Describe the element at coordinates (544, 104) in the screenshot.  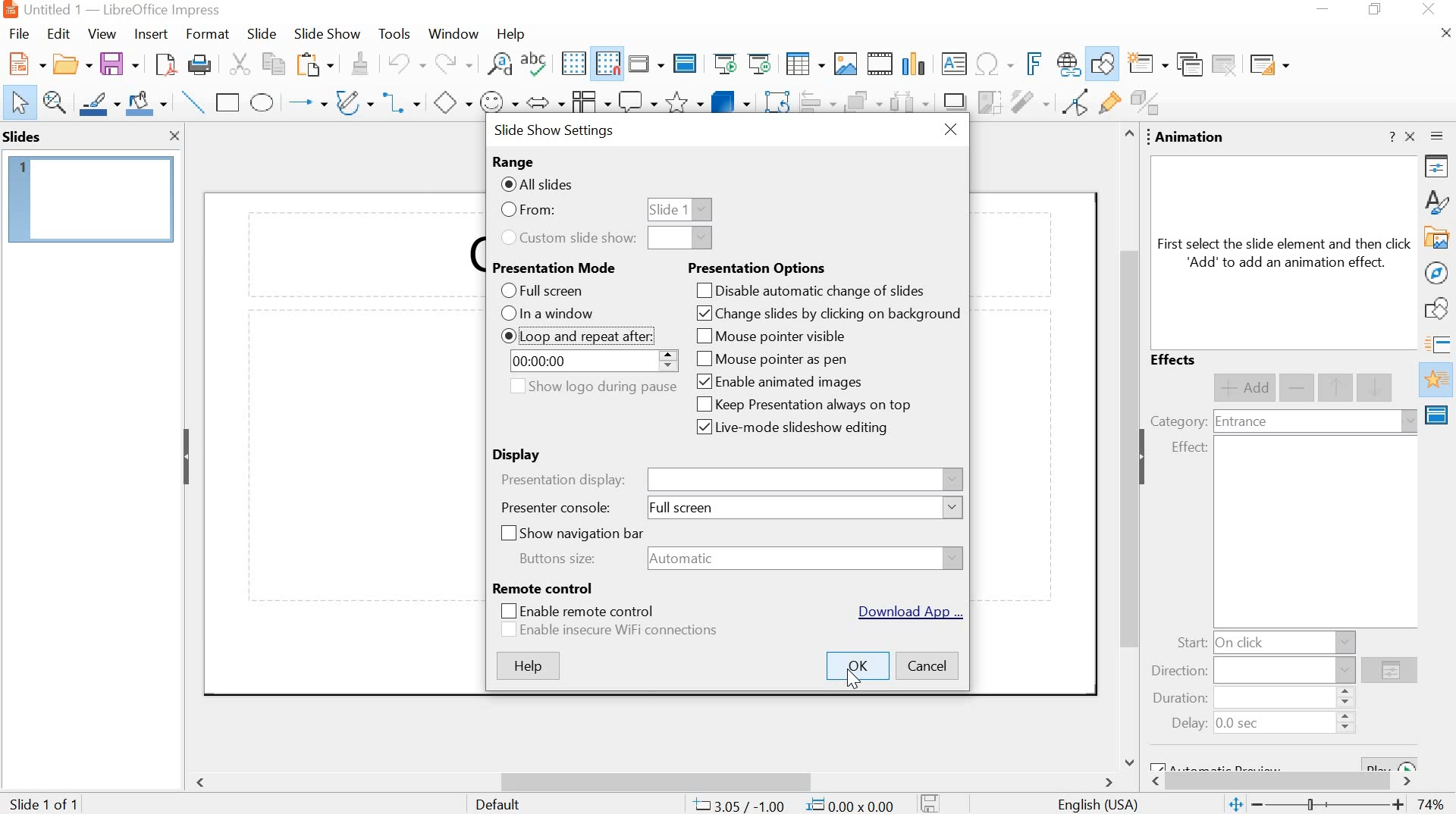
I see `block arrows` at that location.